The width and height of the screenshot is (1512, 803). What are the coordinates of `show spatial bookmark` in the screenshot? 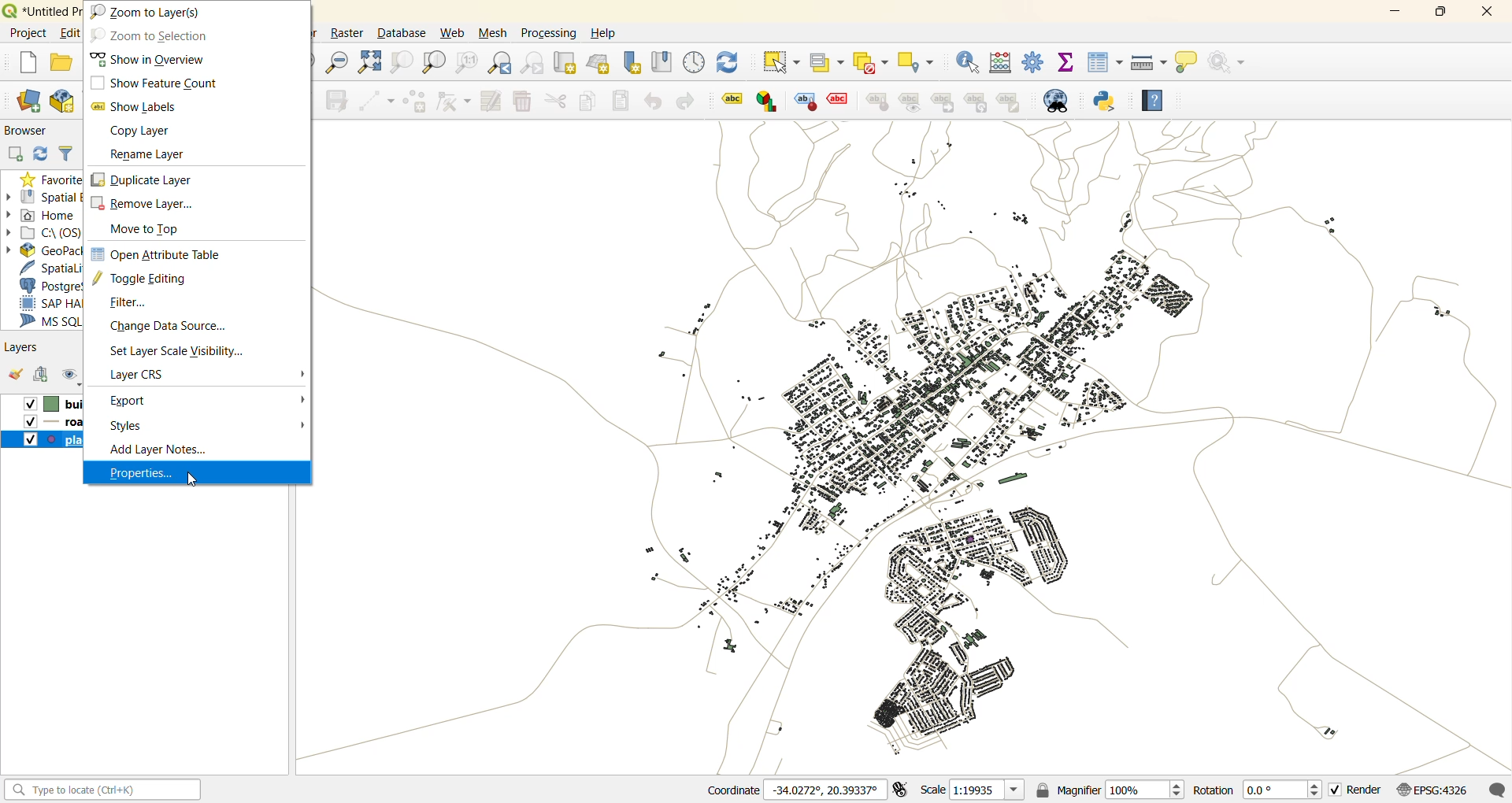 It's located at (664, 61).